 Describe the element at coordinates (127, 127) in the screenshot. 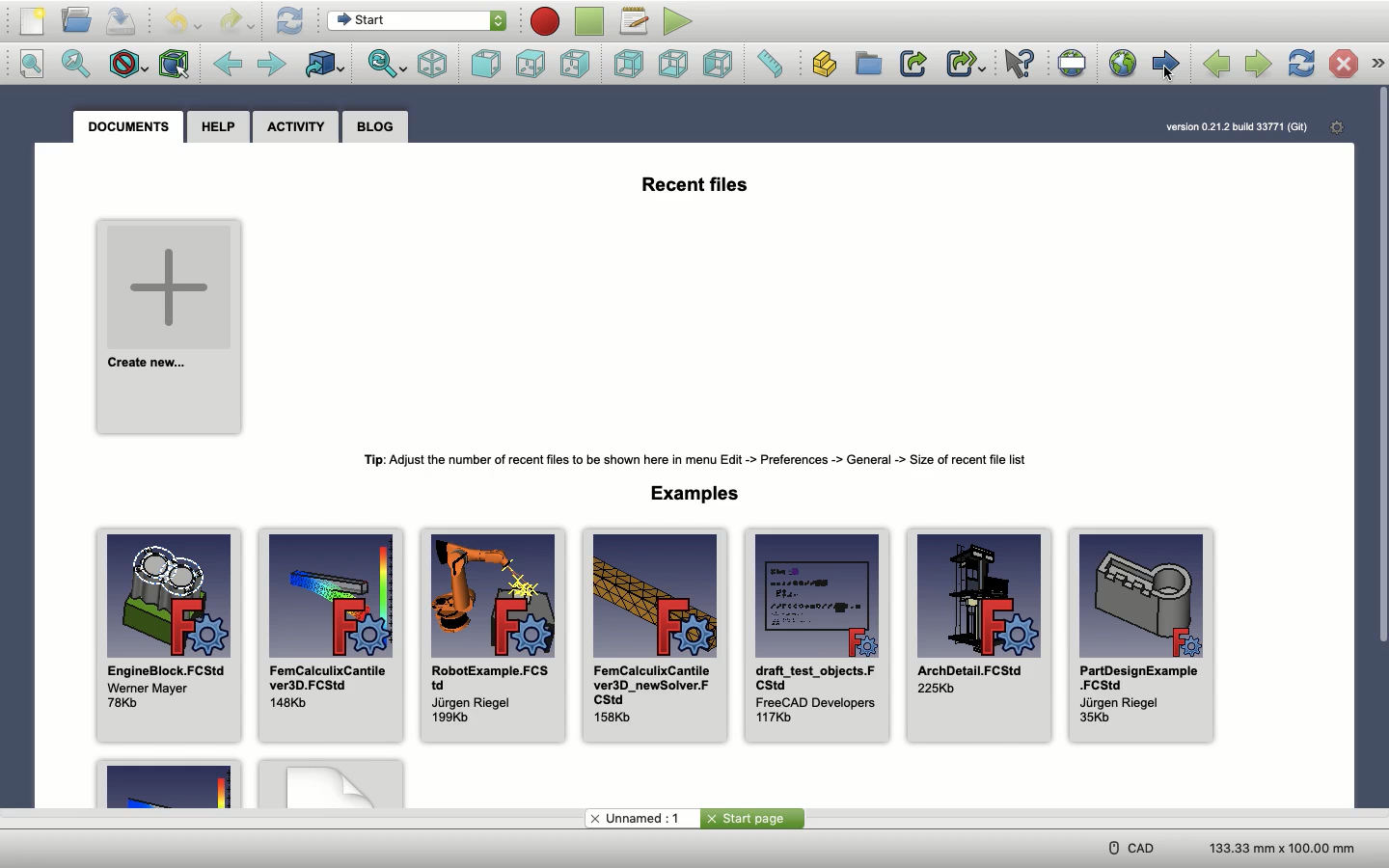

I see `Documents` at that location.